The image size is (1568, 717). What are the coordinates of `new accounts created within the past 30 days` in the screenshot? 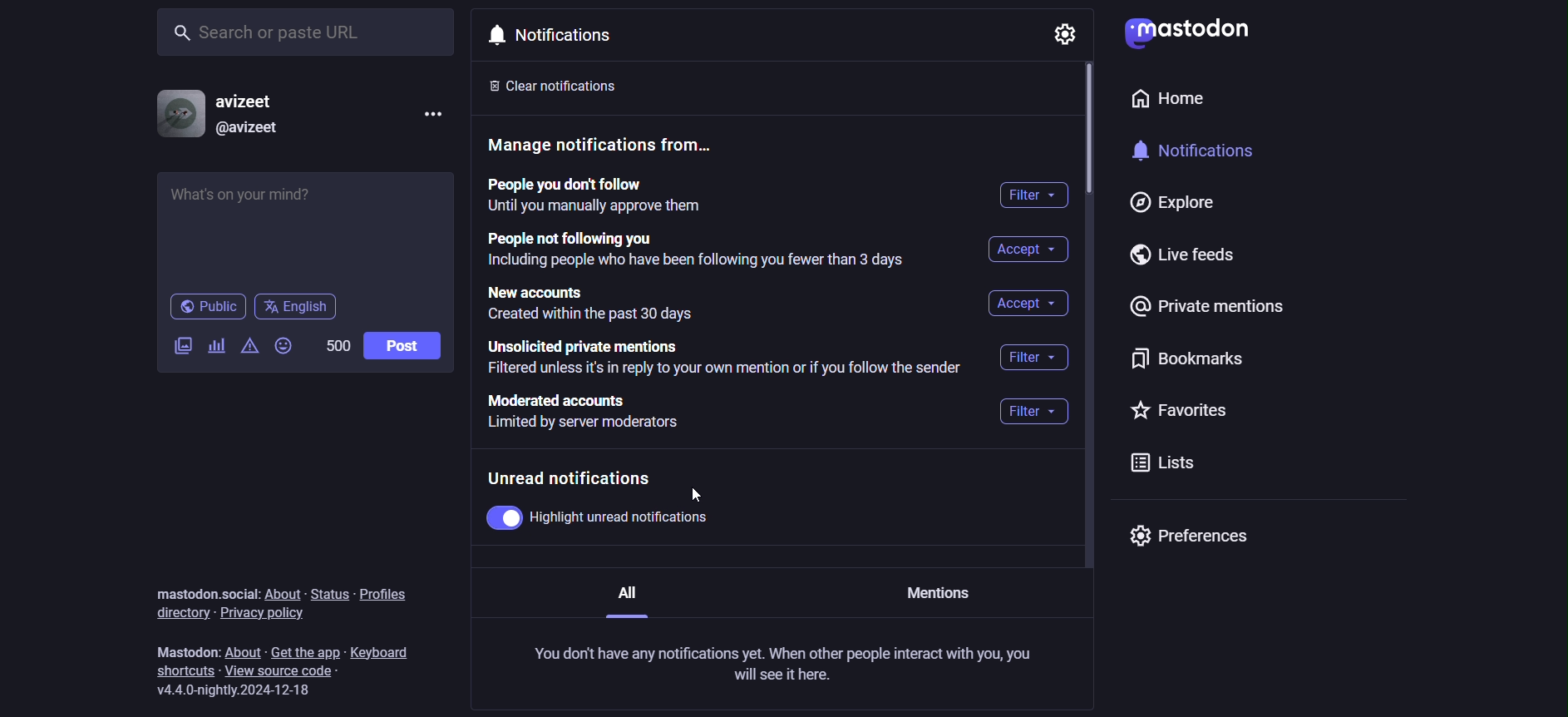 It's located at (622, 302).